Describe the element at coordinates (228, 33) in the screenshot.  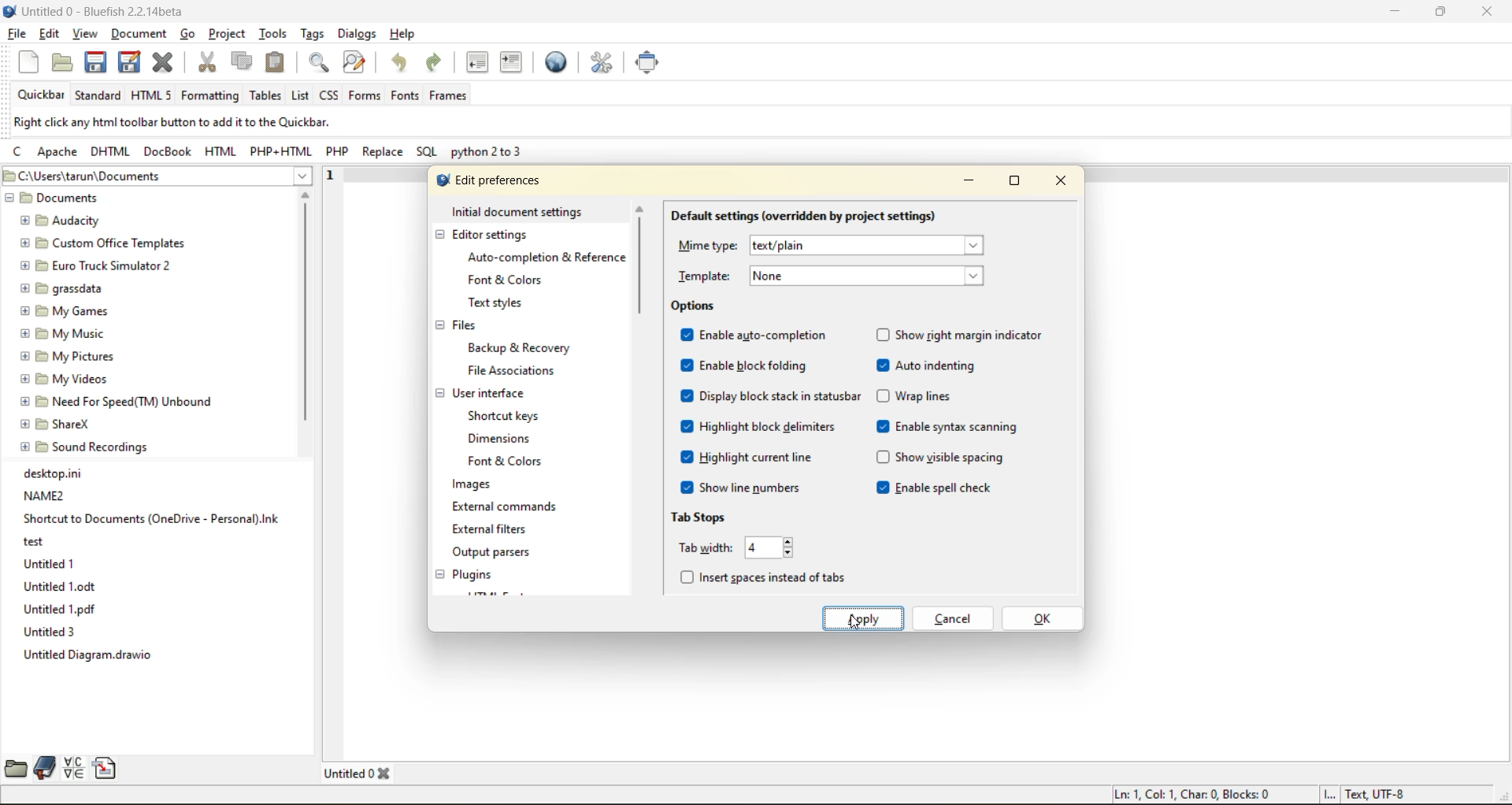
I see `project` at that location.